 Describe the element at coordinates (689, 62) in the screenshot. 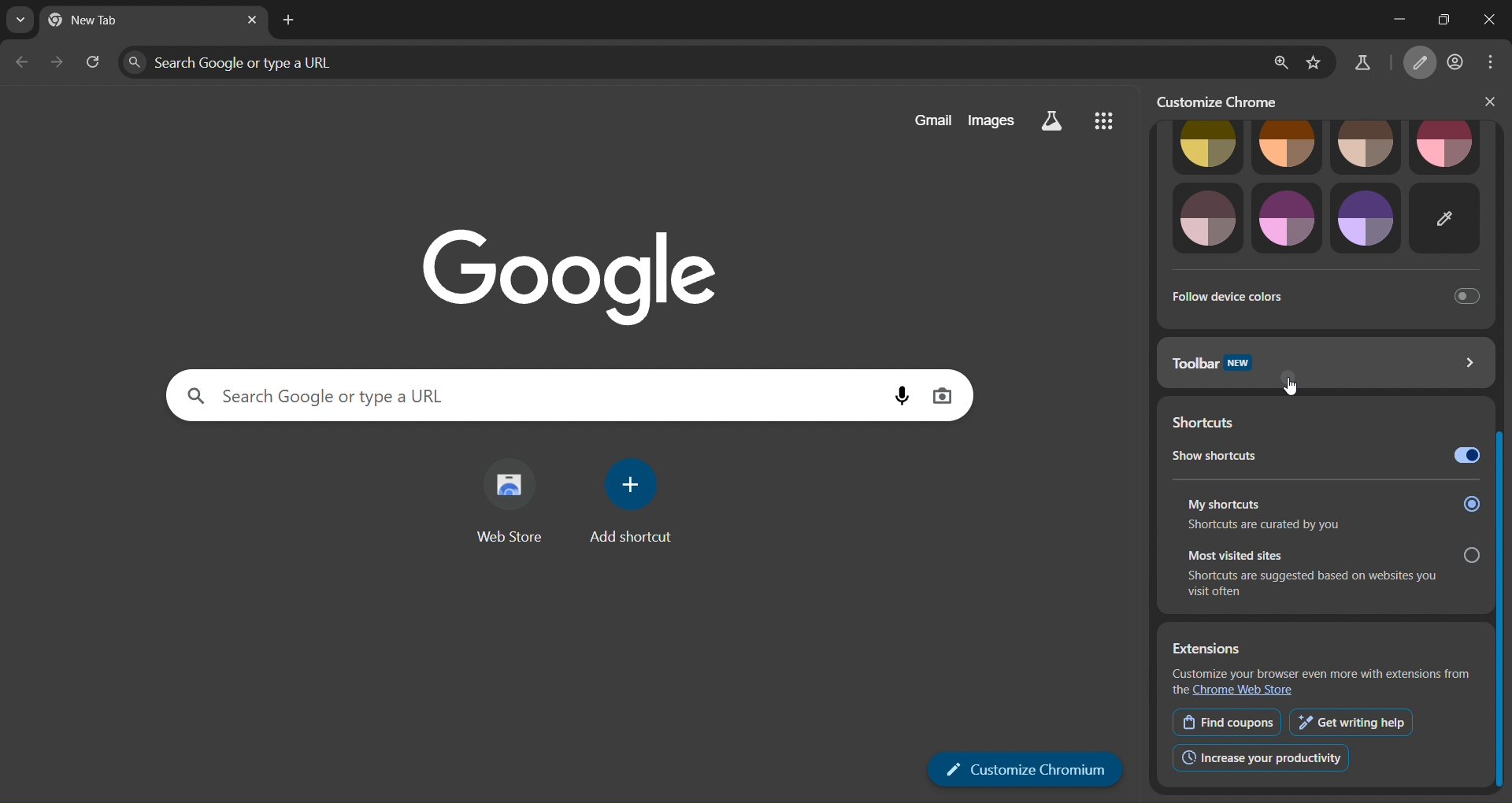

I see `Search google or type a URL` at that location.